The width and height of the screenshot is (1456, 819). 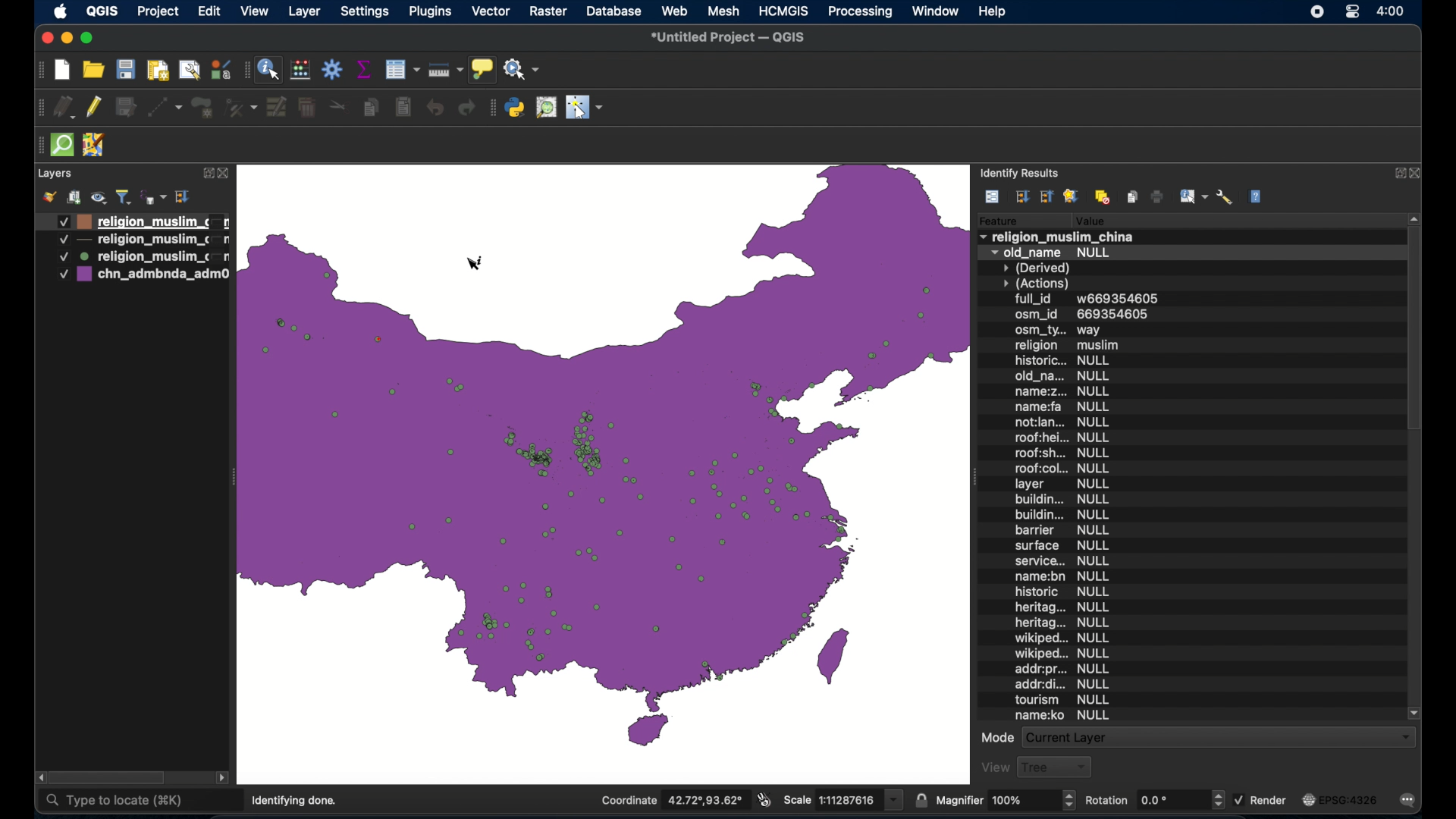 What do you see at coordinates (669, 801) in the screenshot?
I see `coordinate` at bounding box center [669, 801].